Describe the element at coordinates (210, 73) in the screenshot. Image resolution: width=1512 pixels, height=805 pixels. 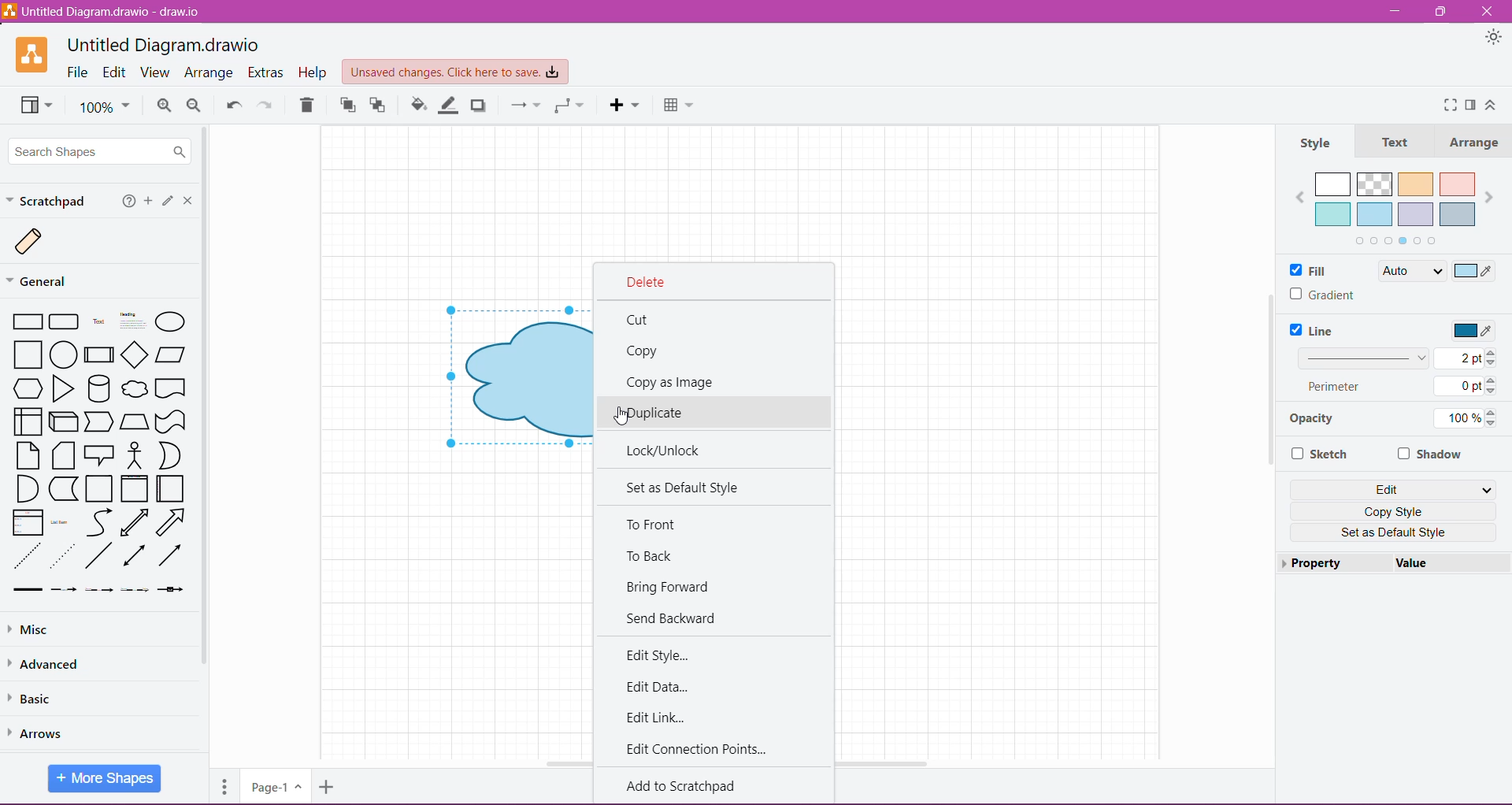
I see `Arrange` at that location.